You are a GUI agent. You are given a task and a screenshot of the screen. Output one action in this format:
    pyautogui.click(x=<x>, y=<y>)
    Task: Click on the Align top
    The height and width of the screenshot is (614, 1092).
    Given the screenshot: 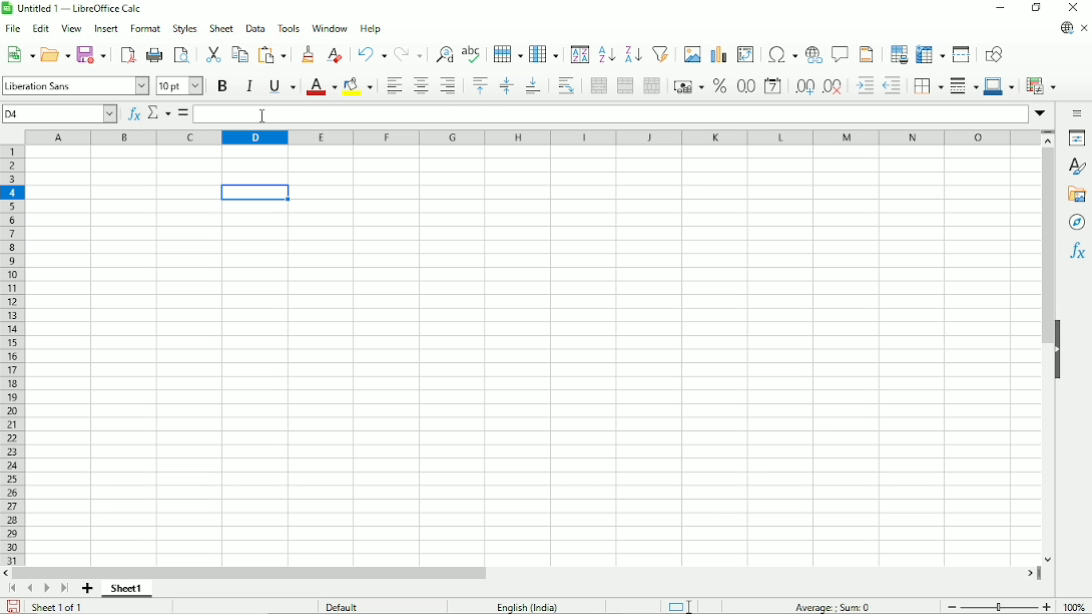 What is the action you would take?
    pyautogui.click(x=481, y=86)
    